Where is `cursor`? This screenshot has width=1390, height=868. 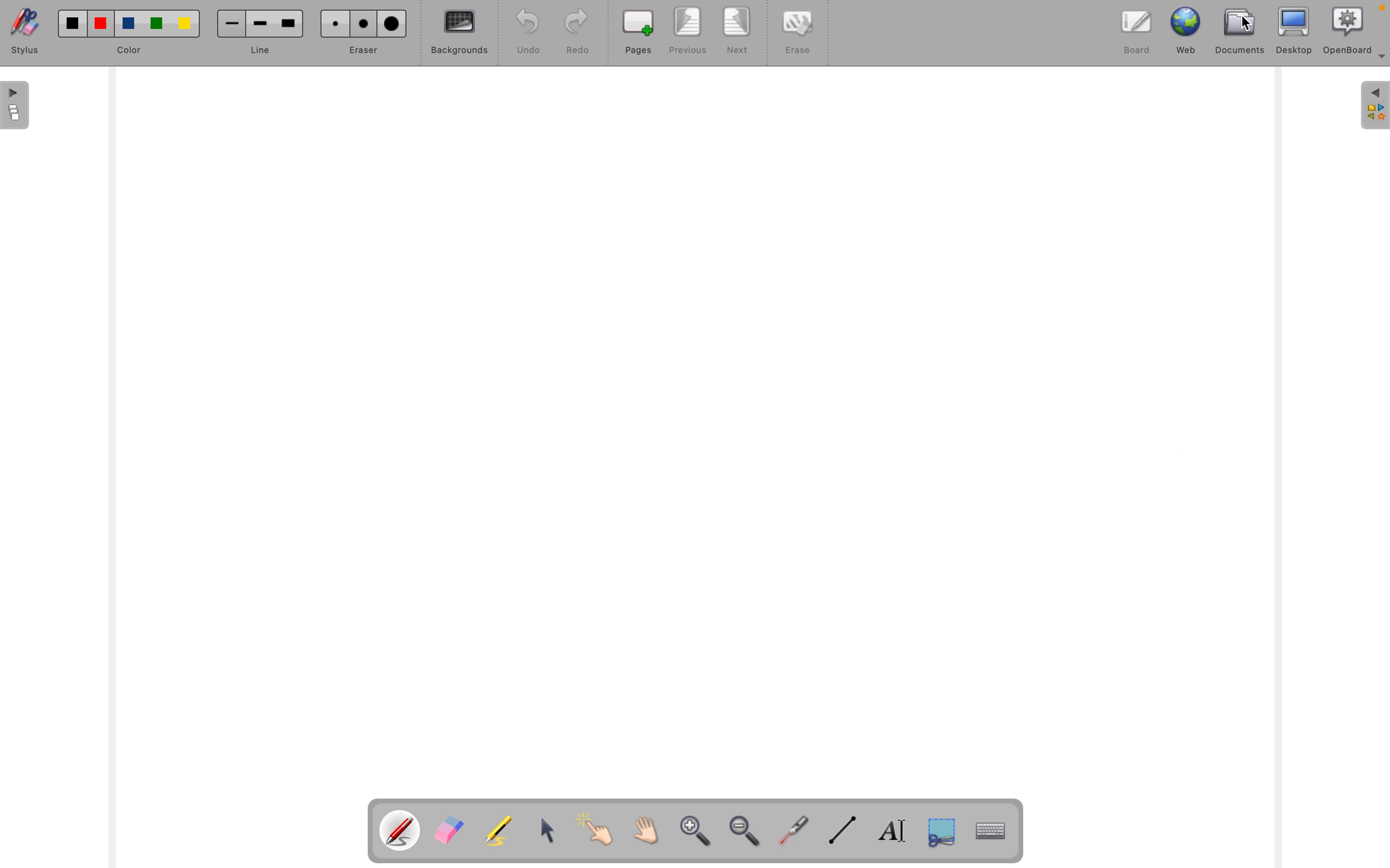 cursor is located at coordinates (1249, 25).